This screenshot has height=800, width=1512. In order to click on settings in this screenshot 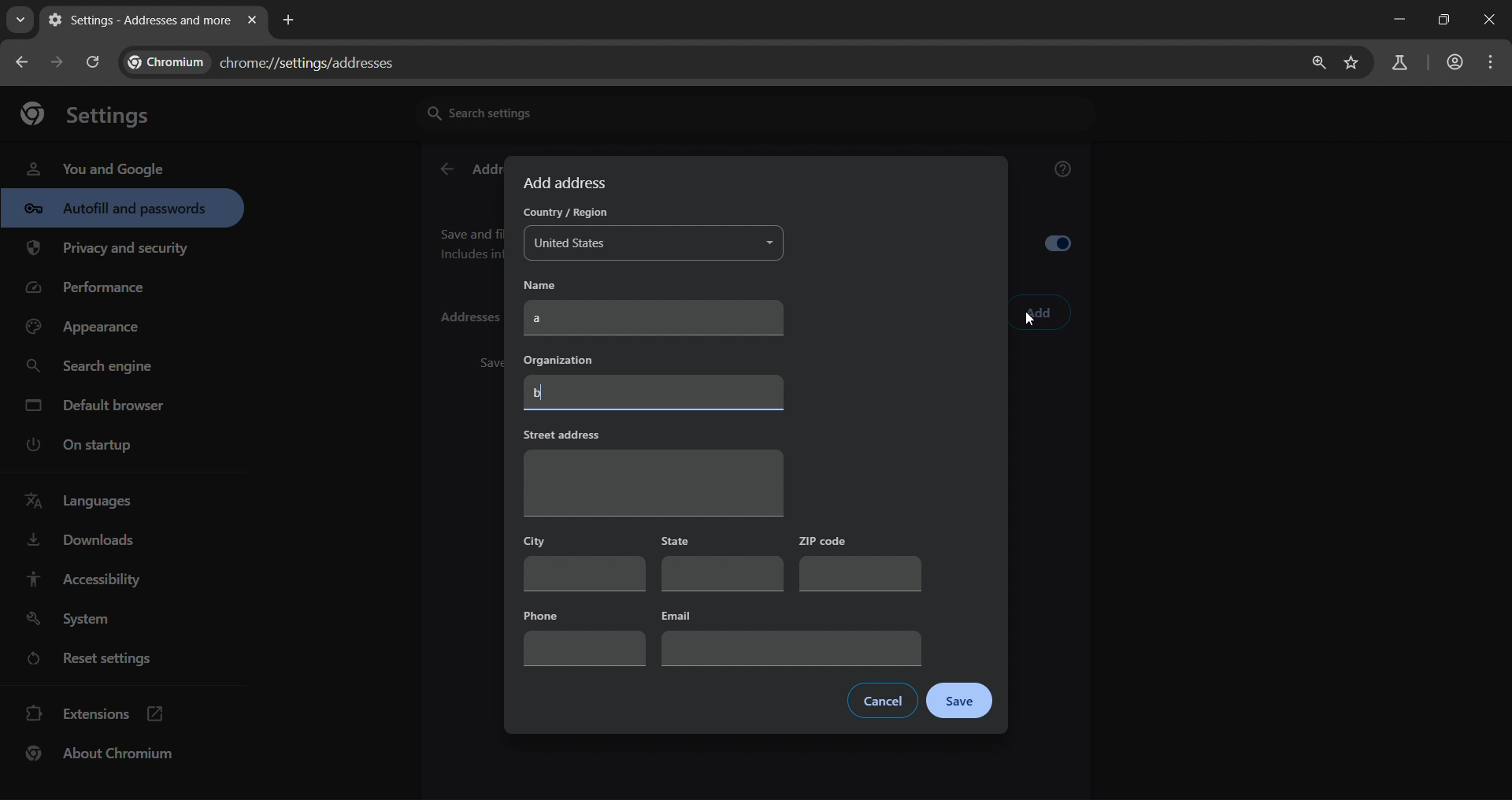, I will do `click(94, 113)`.